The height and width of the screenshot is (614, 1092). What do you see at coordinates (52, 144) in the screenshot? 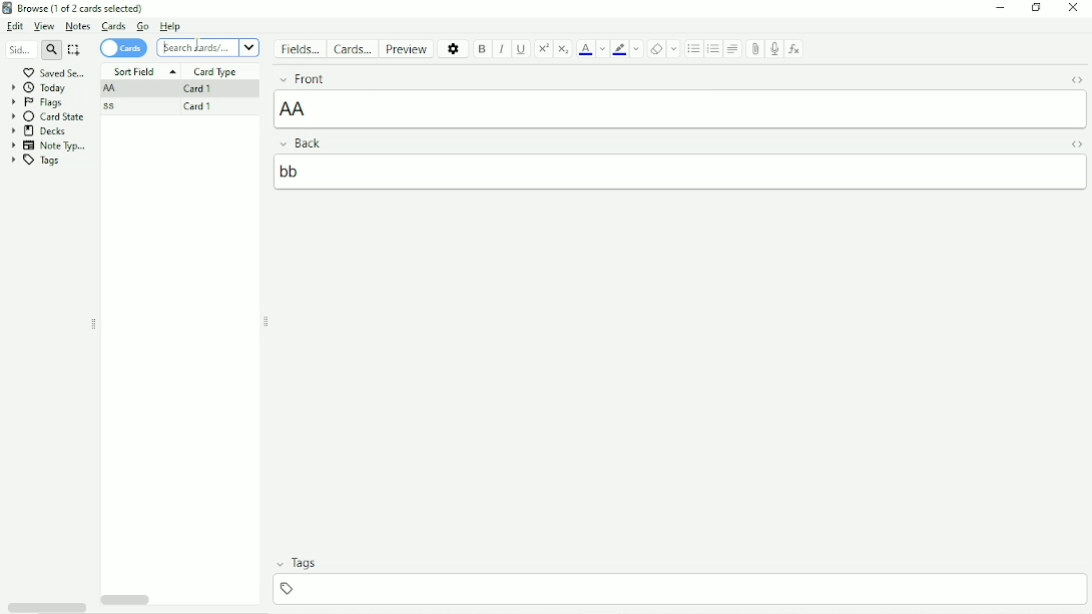
I see `Note Type` at bounding box center [52, 144].